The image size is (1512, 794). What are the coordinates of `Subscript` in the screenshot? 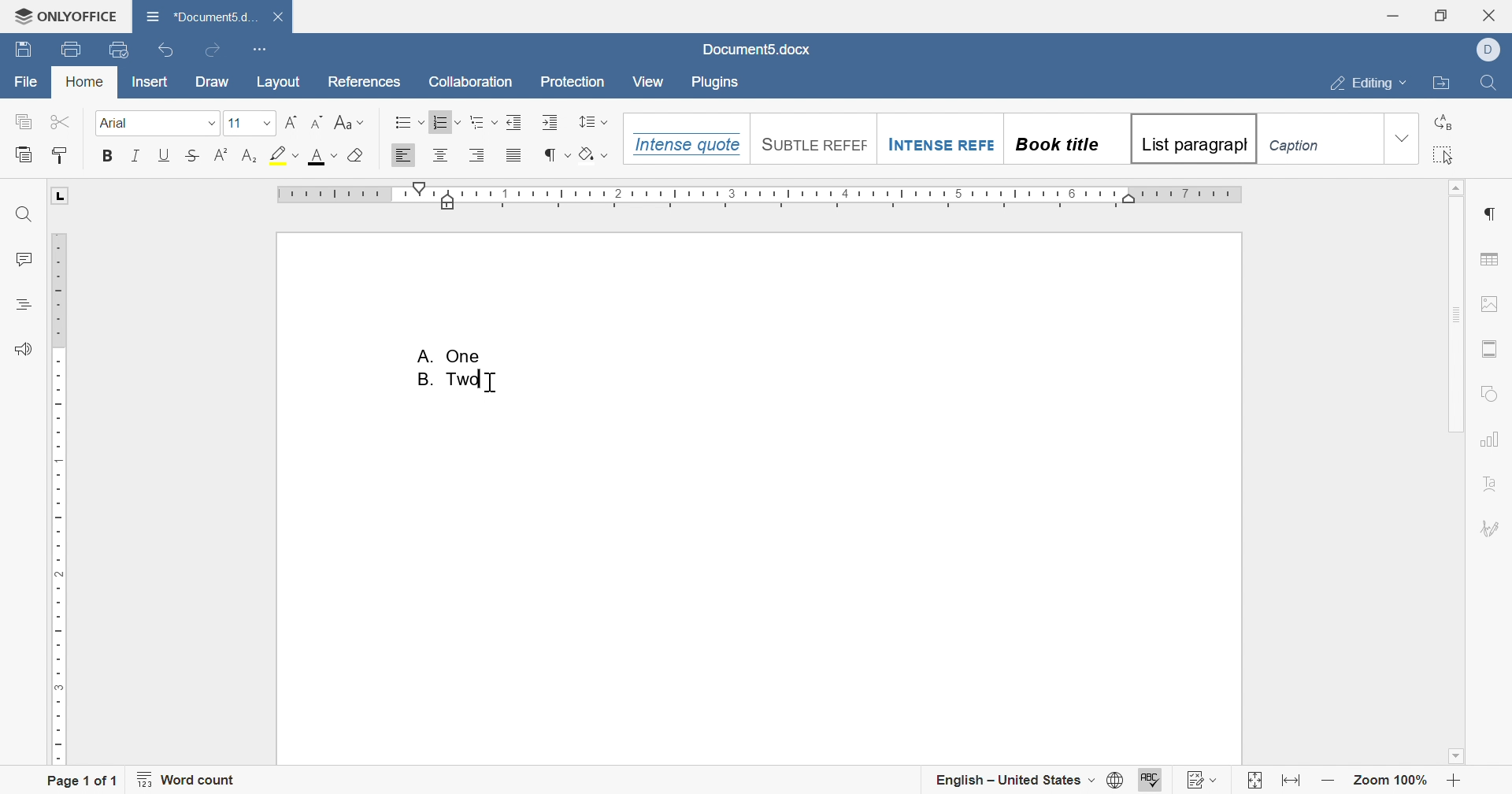 It's located at (248, 155).